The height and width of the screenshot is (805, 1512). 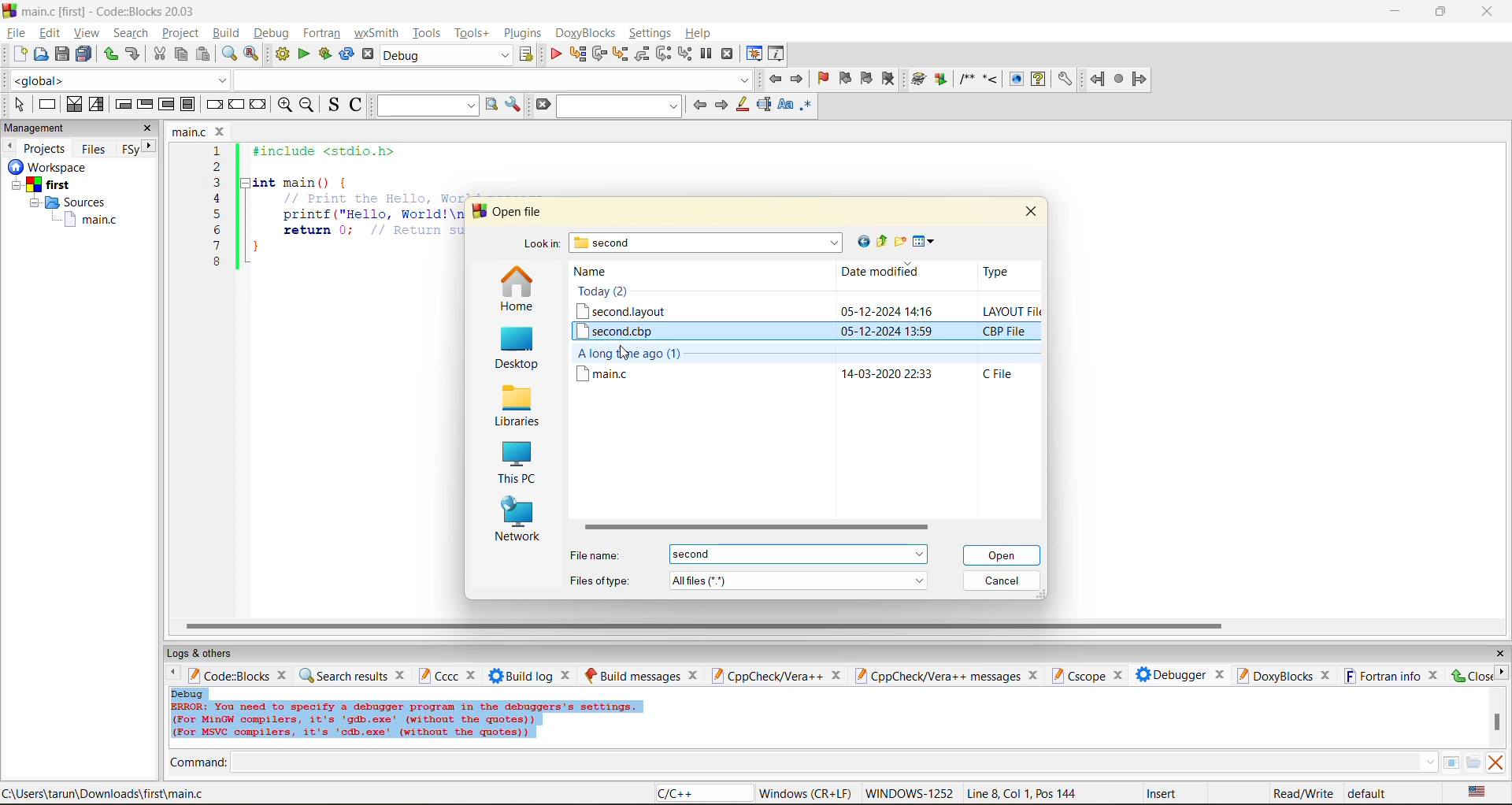 What do you see at coordinates (284, 674) in the screenshot?
I see `close` at bounding box center [284, 674].